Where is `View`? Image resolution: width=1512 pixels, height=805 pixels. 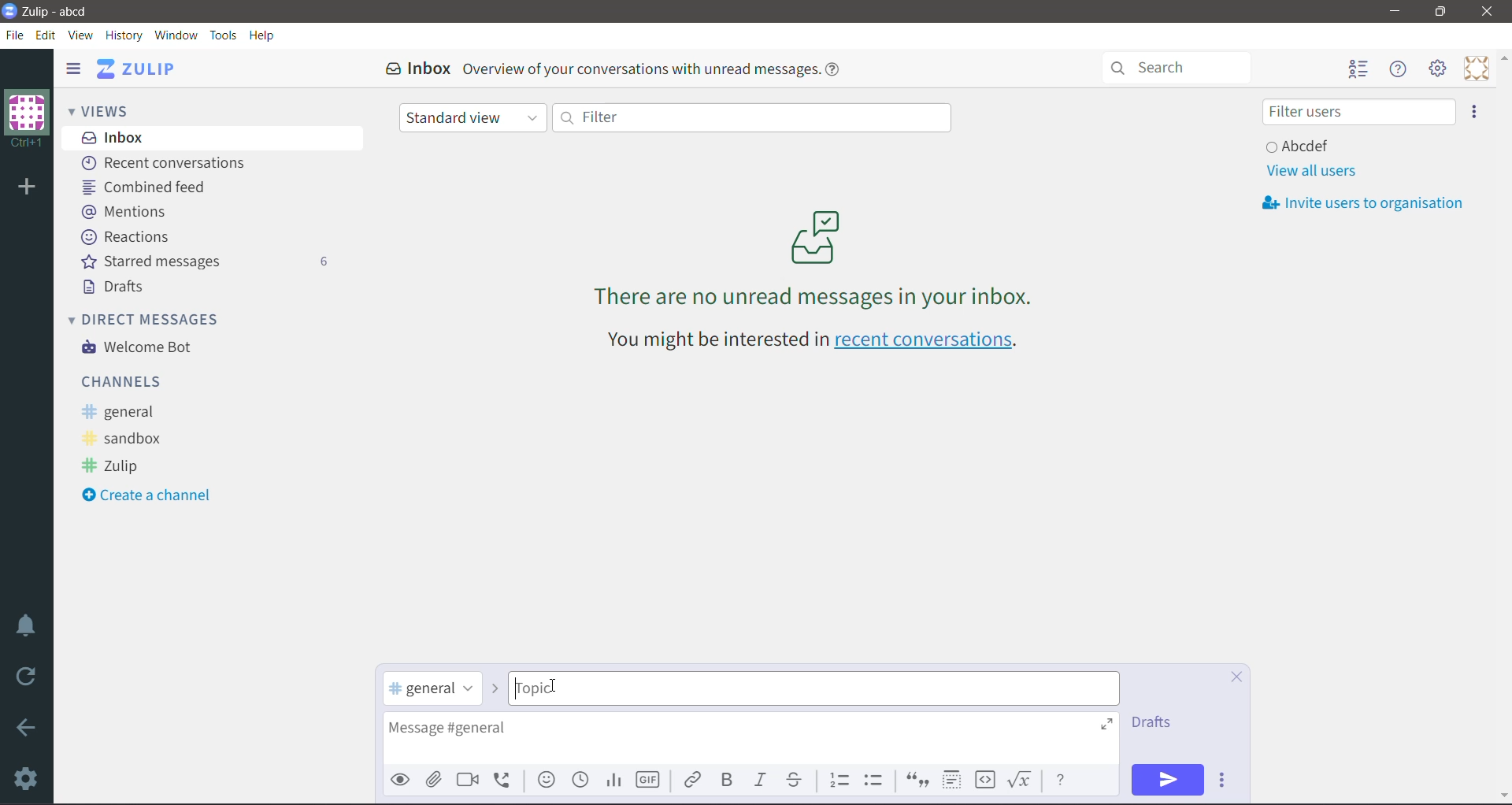 View is located at coordinates (82, 35).